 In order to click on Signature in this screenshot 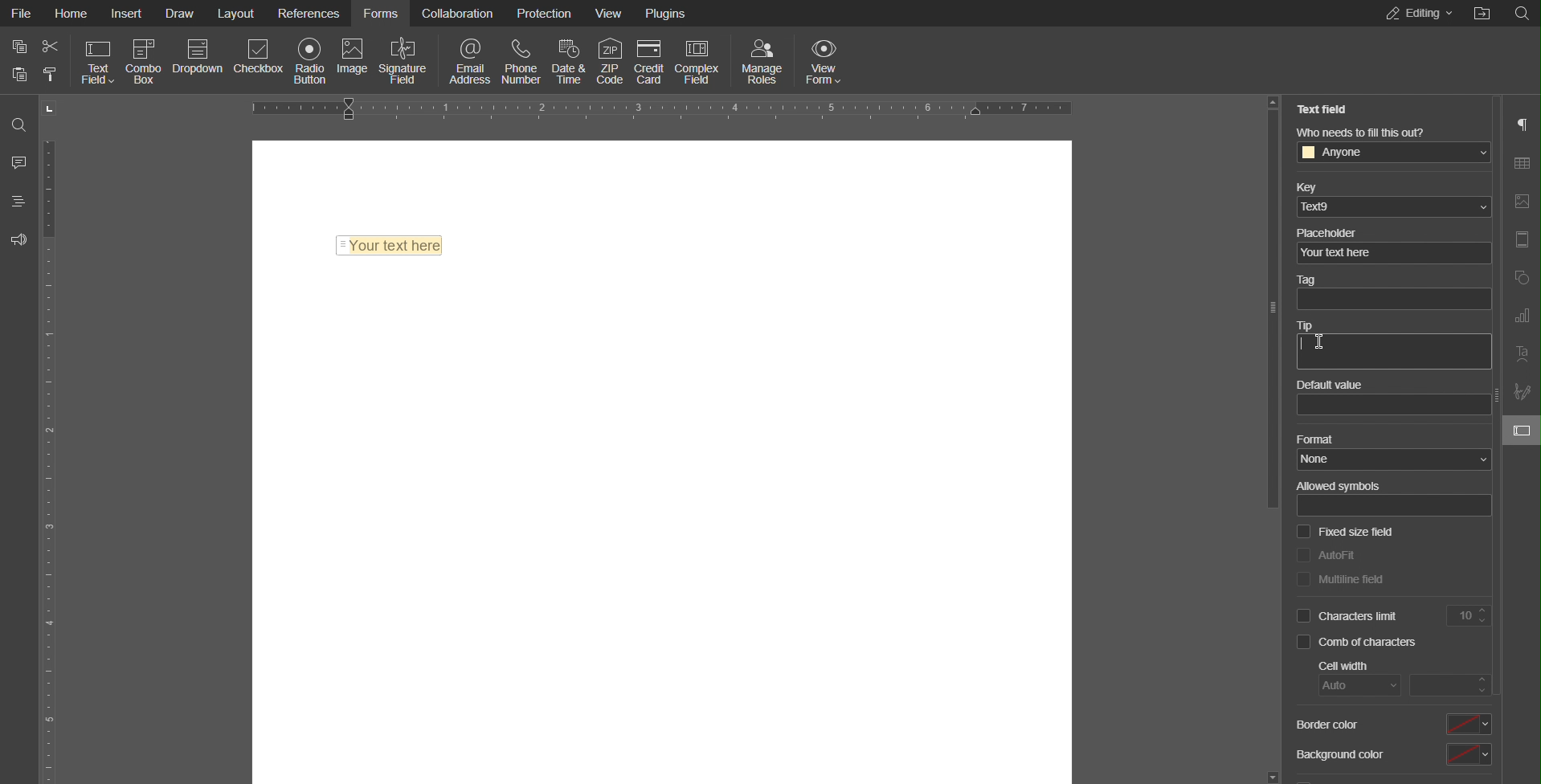, I will do `click(1522, 391)`.